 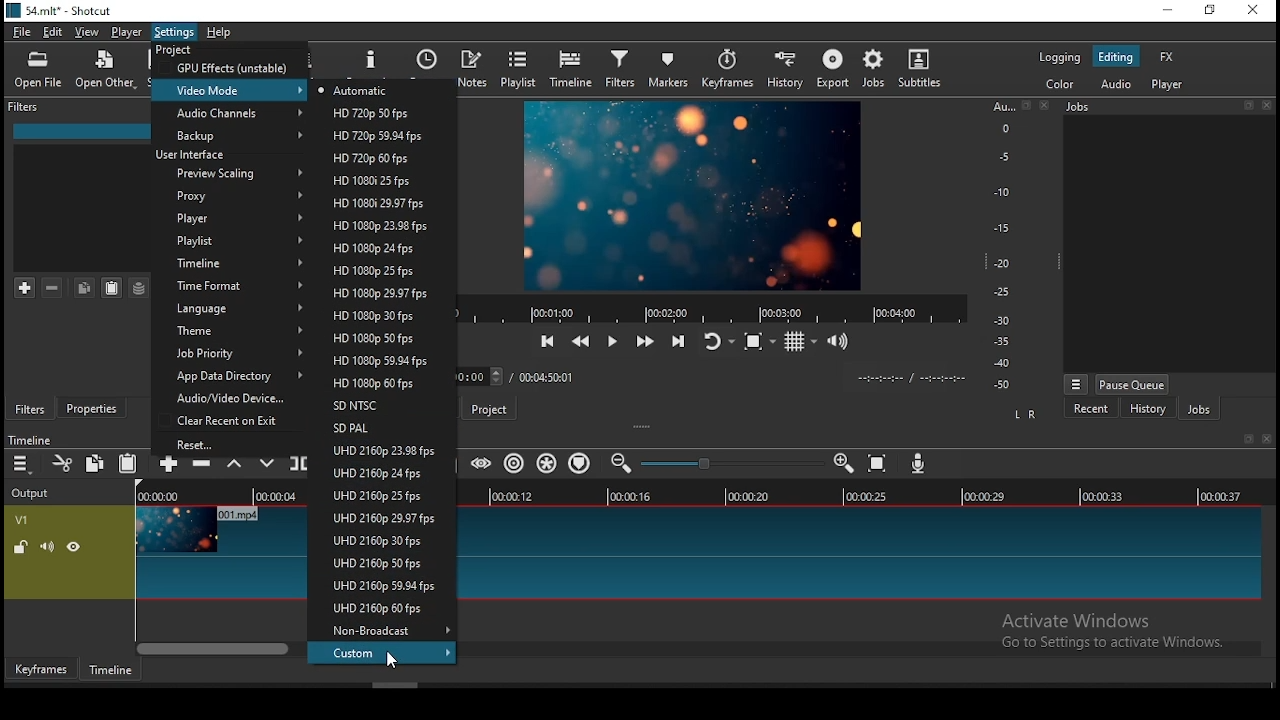 What do you see at coordinates (1077, 386) in the screenshot?
I see `jobs menu` at bounding box center [1077, 386].